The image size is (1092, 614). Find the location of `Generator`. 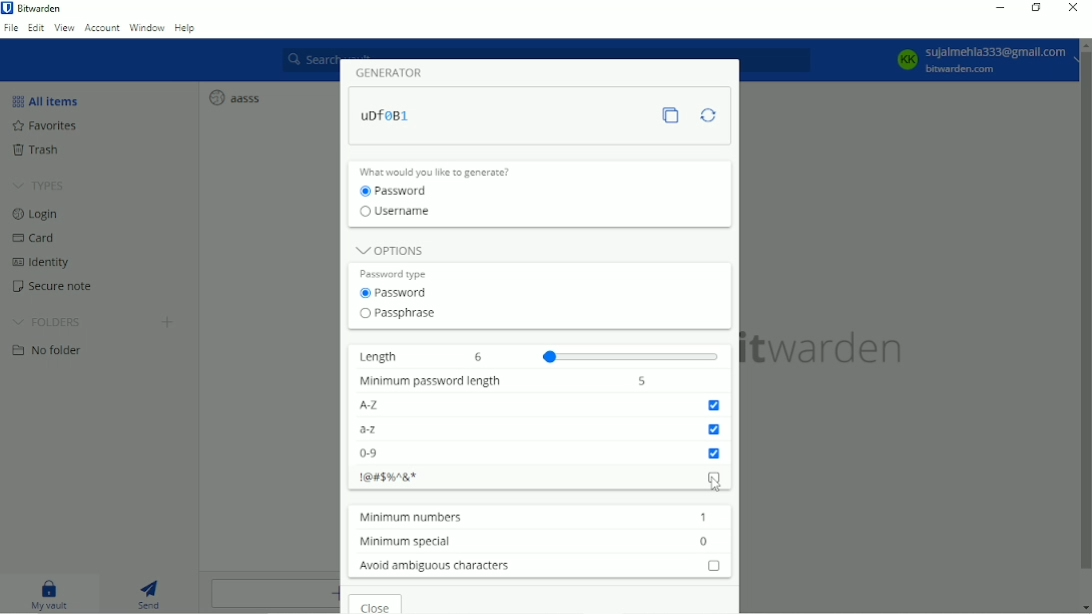

Generator is located at coordinates (398, 72).